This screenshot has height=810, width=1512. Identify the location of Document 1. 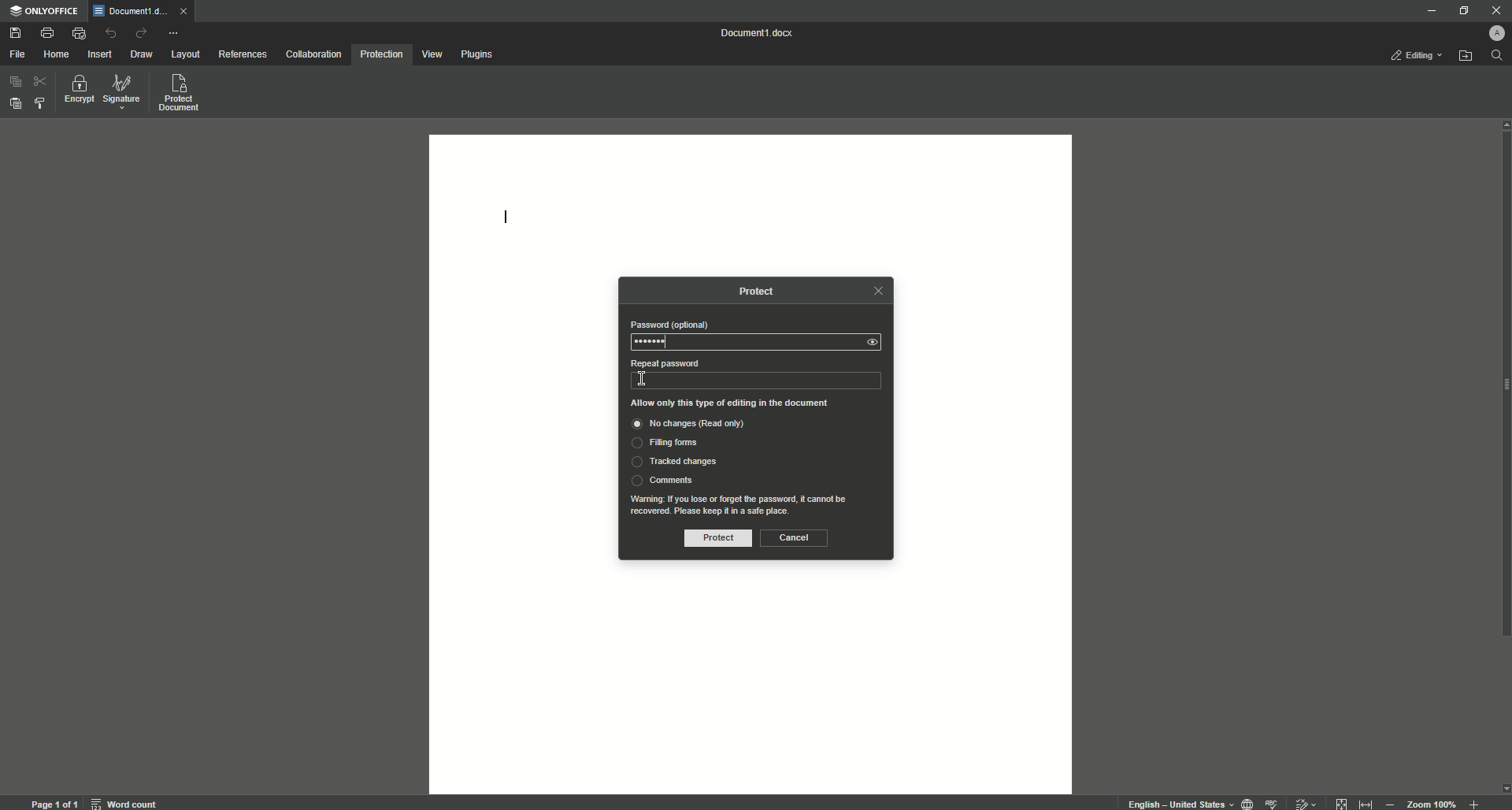
(760, 33).